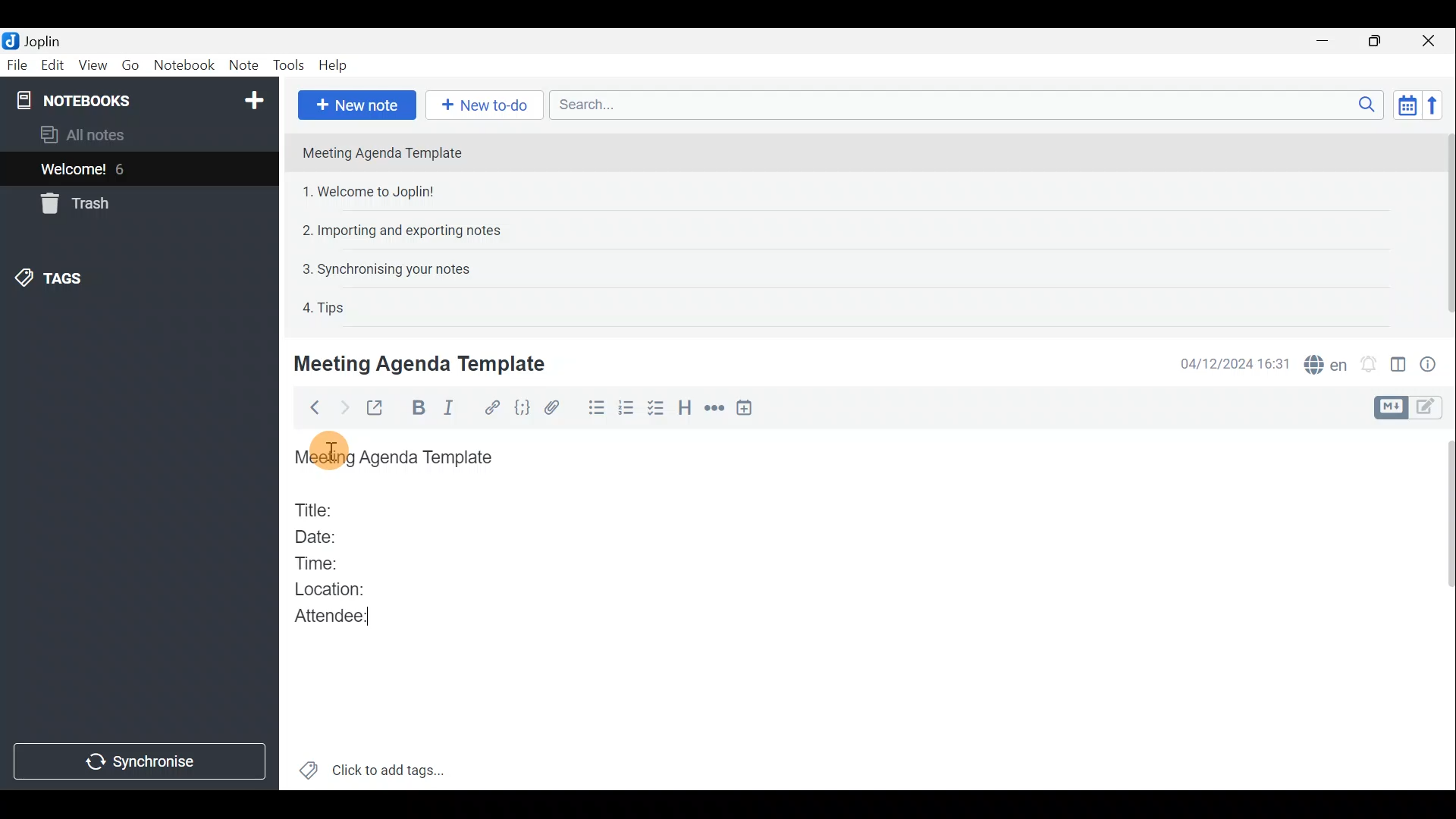  I want to click on Set alarm, so click(1370, 364).